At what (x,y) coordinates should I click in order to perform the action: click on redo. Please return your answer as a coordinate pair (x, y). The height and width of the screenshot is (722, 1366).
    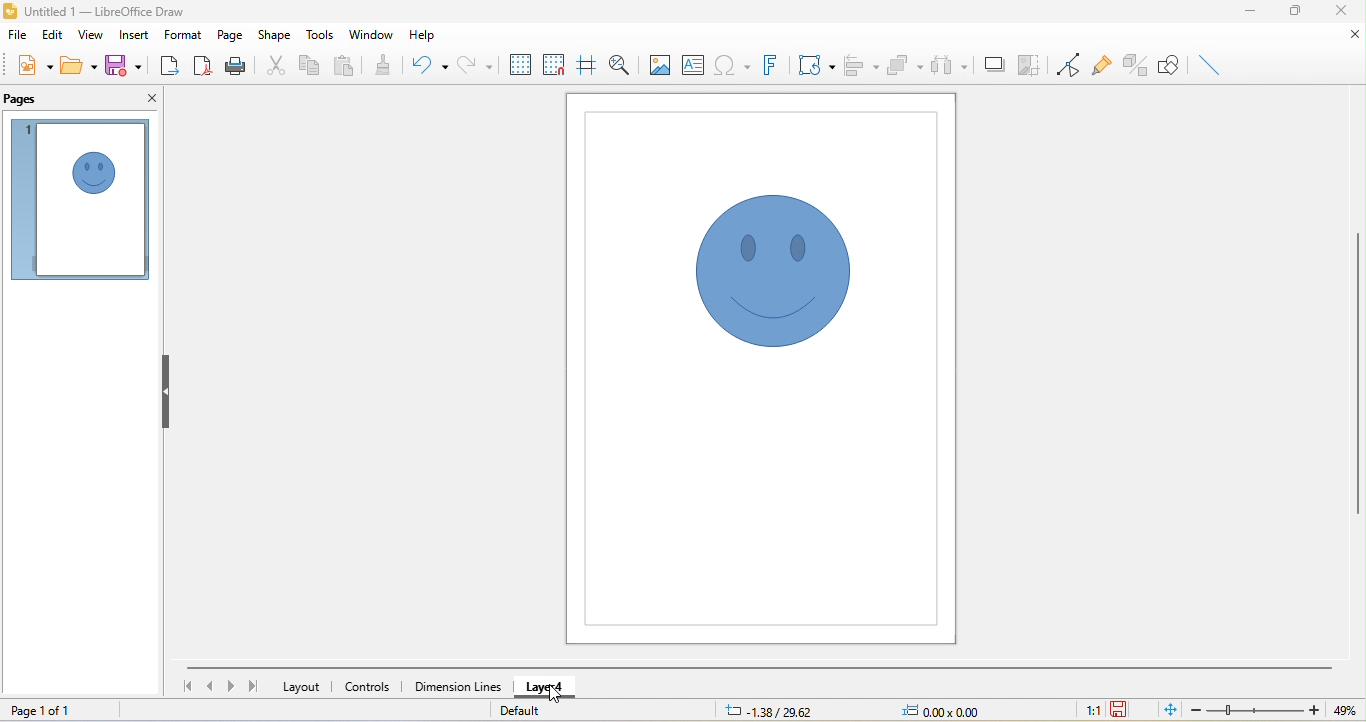
    Looking at the image, I should click on (479, 63).